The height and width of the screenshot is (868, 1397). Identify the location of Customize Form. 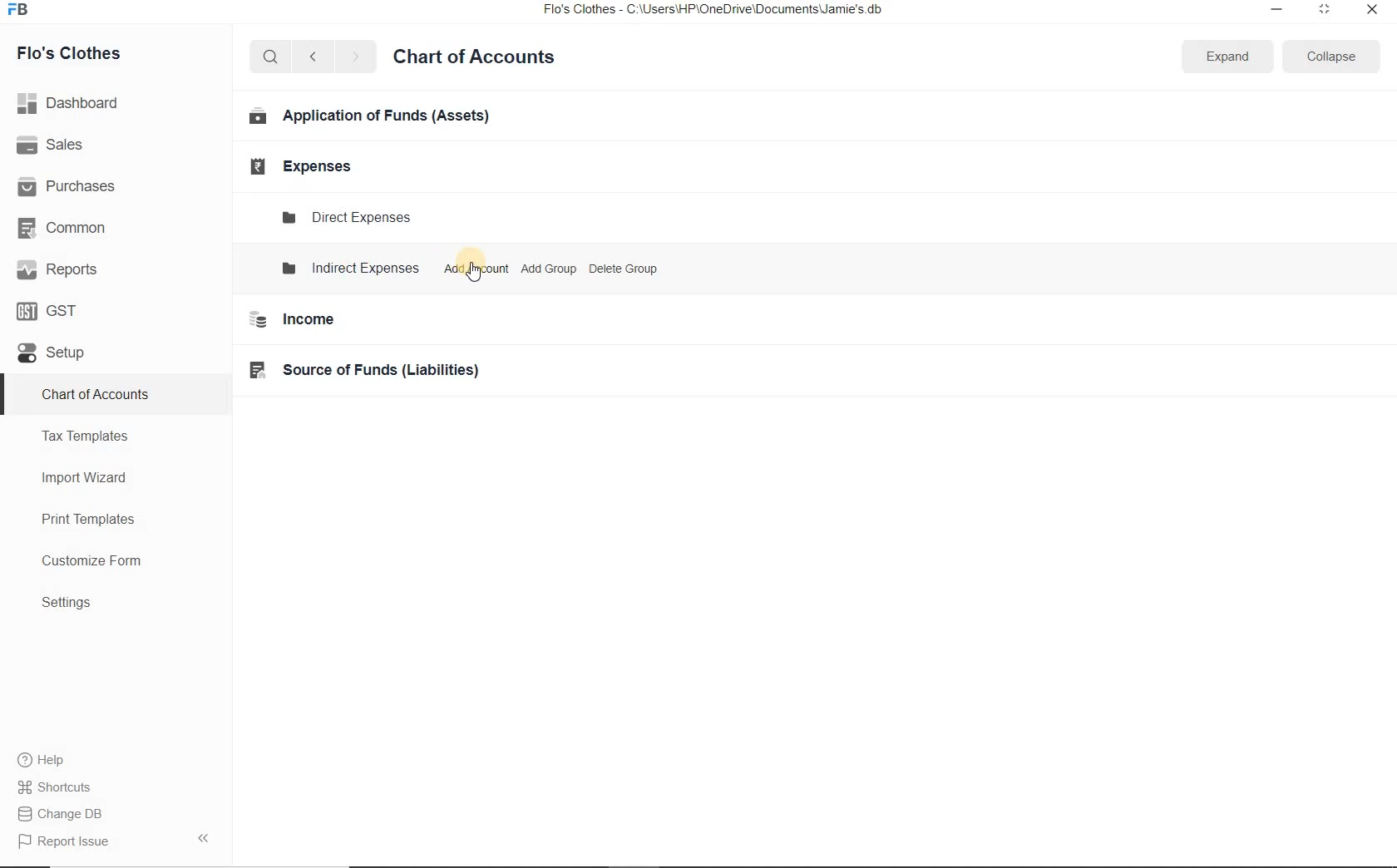
(92, 561).